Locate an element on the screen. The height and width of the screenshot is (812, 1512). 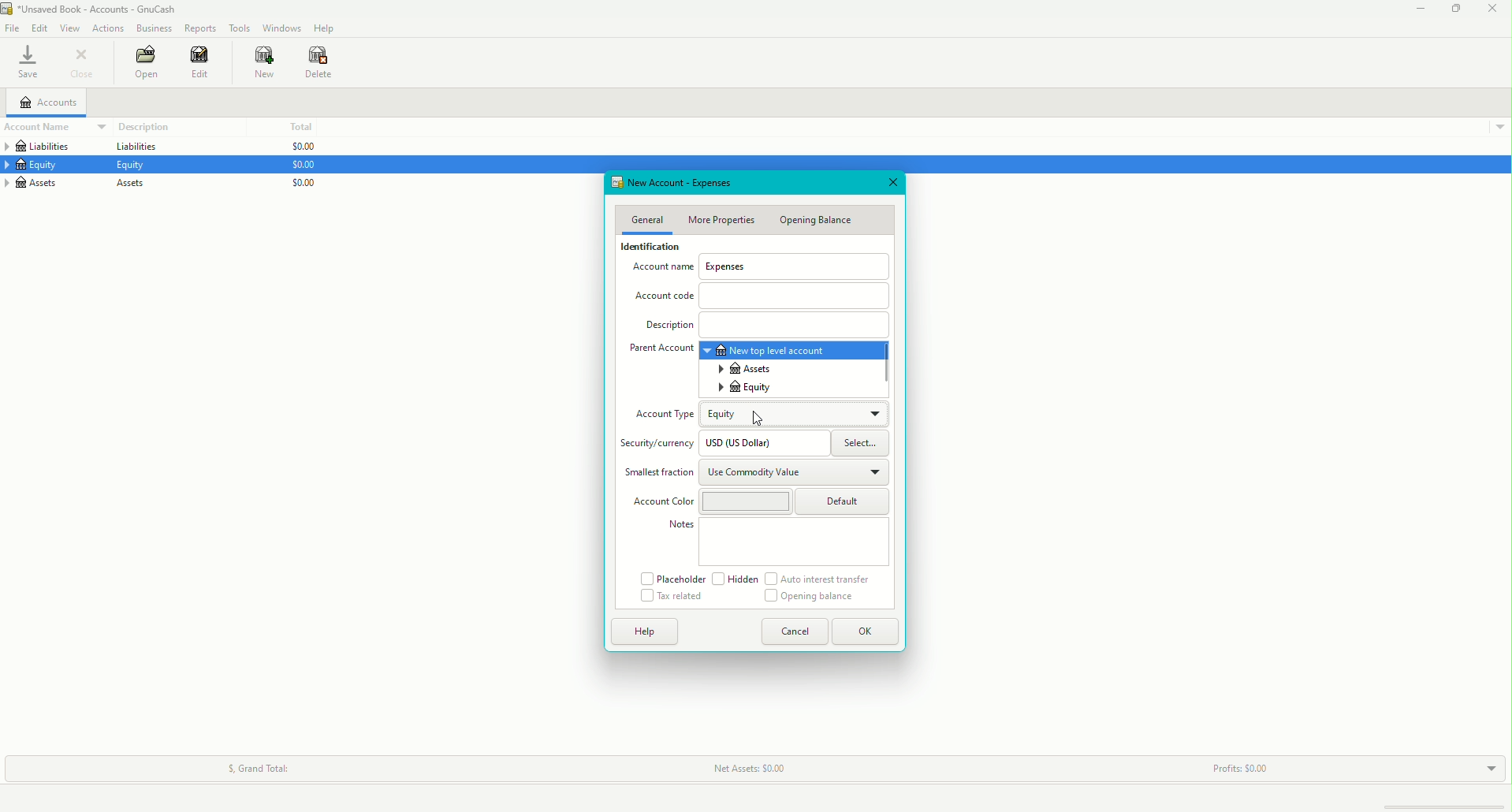
Cursor is located at coordinates (758, 421).